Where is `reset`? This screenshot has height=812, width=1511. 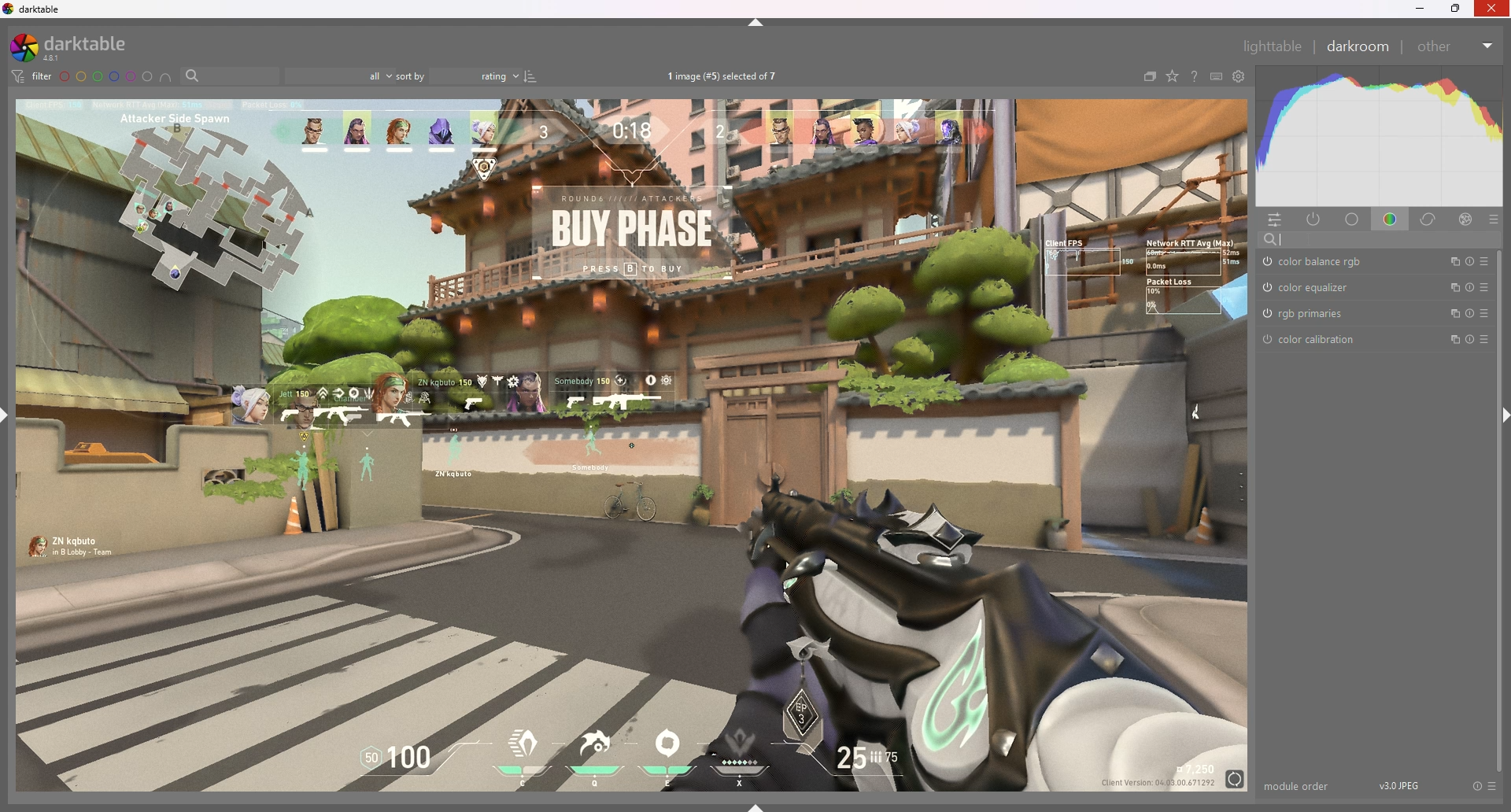
reset is located at coordinates (1468, 341).